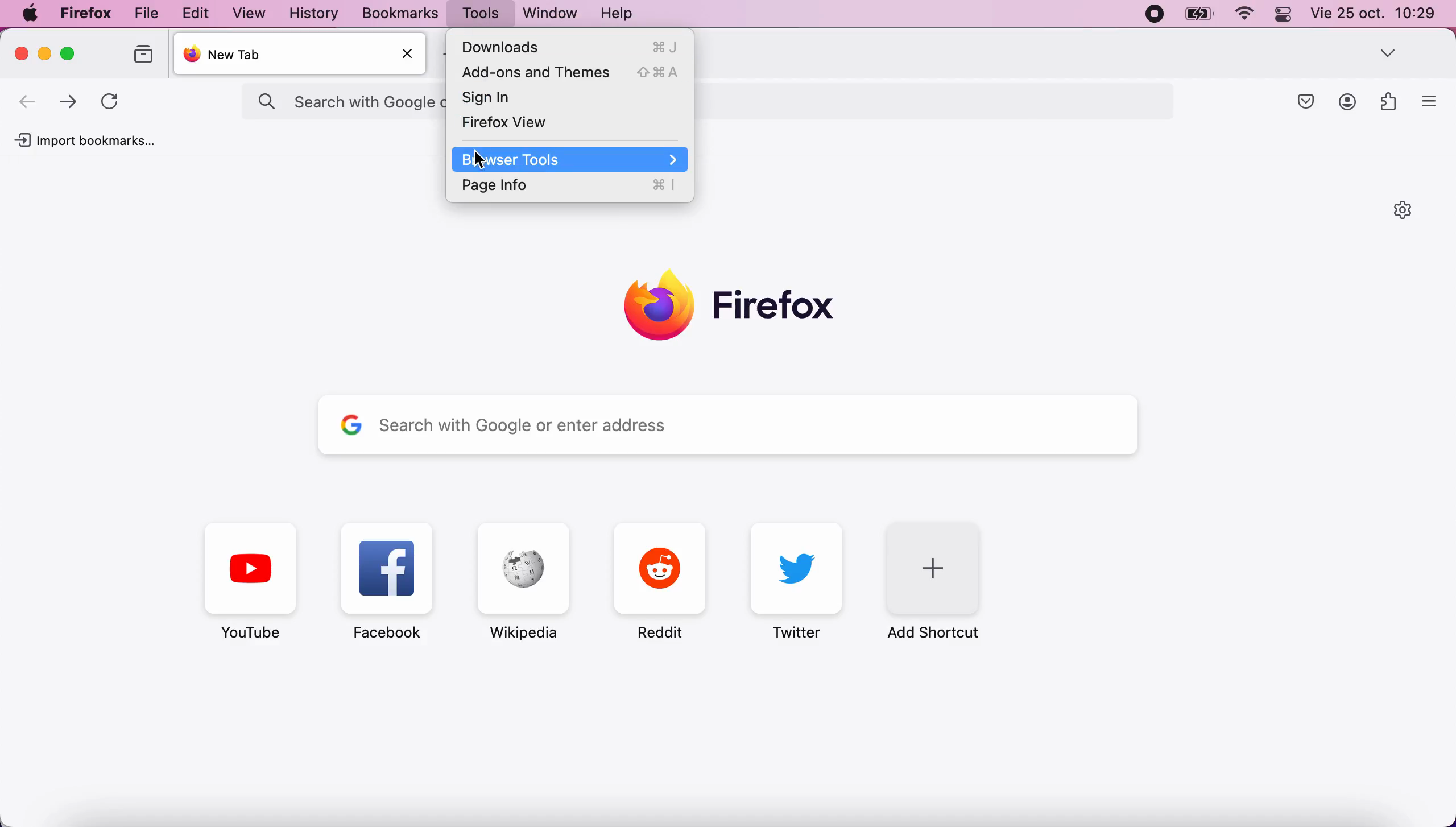  Describe the element at coordinates (1284, 15) in the screenshot. I see `Toggle` at that location.